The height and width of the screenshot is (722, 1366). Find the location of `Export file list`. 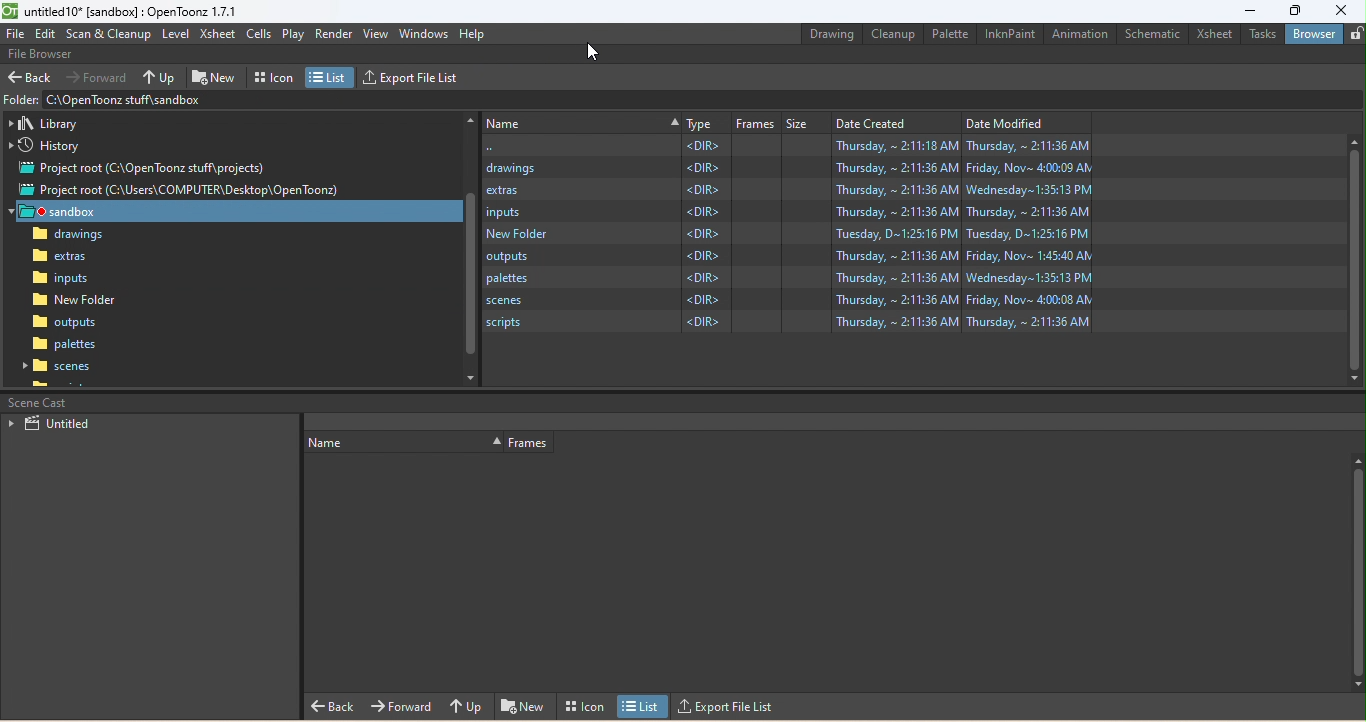

Export file list is located at coordinates (412, 77).